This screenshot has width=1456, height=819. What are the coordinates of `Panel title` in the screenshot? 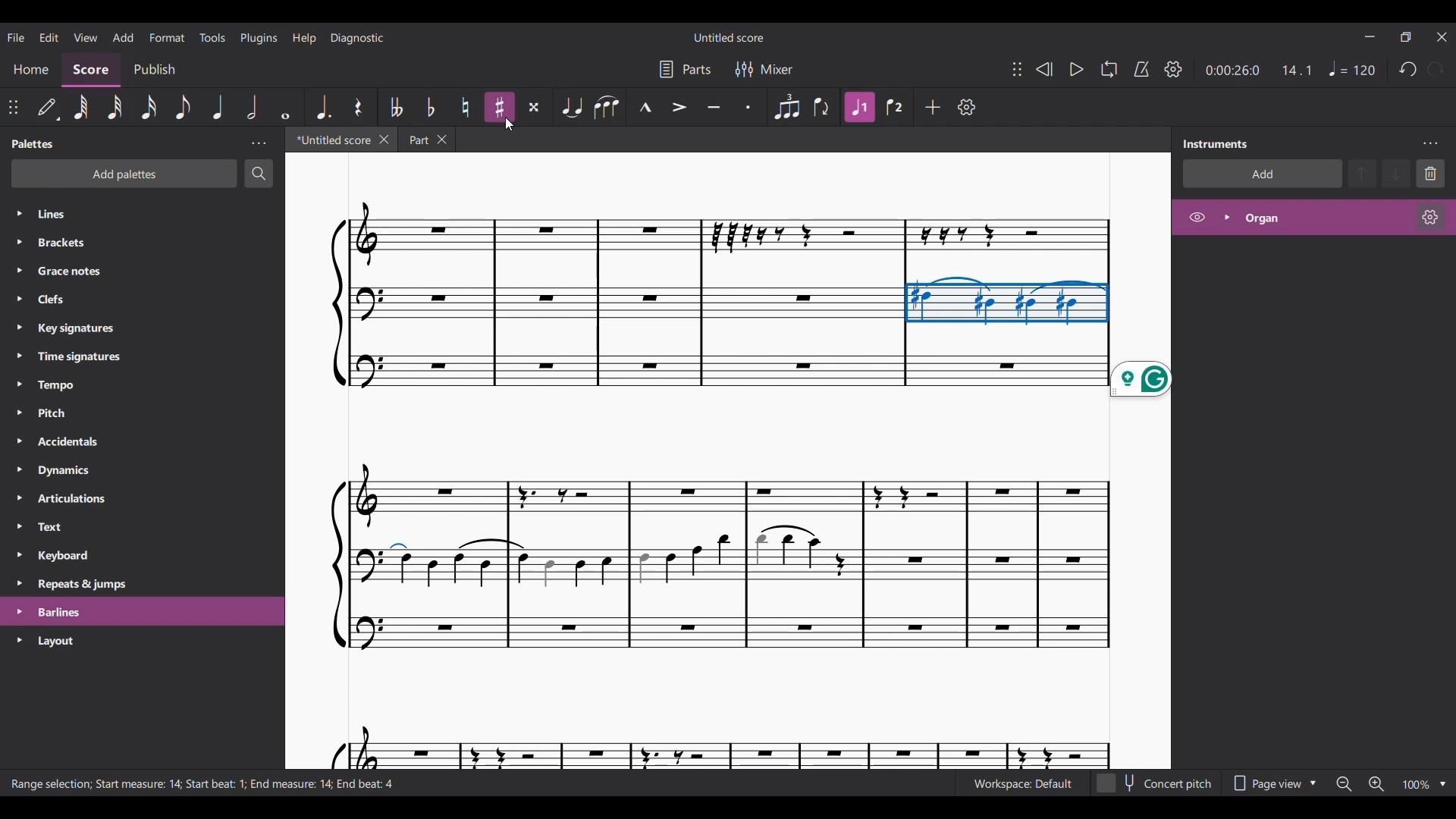 It's located at (33, 143).